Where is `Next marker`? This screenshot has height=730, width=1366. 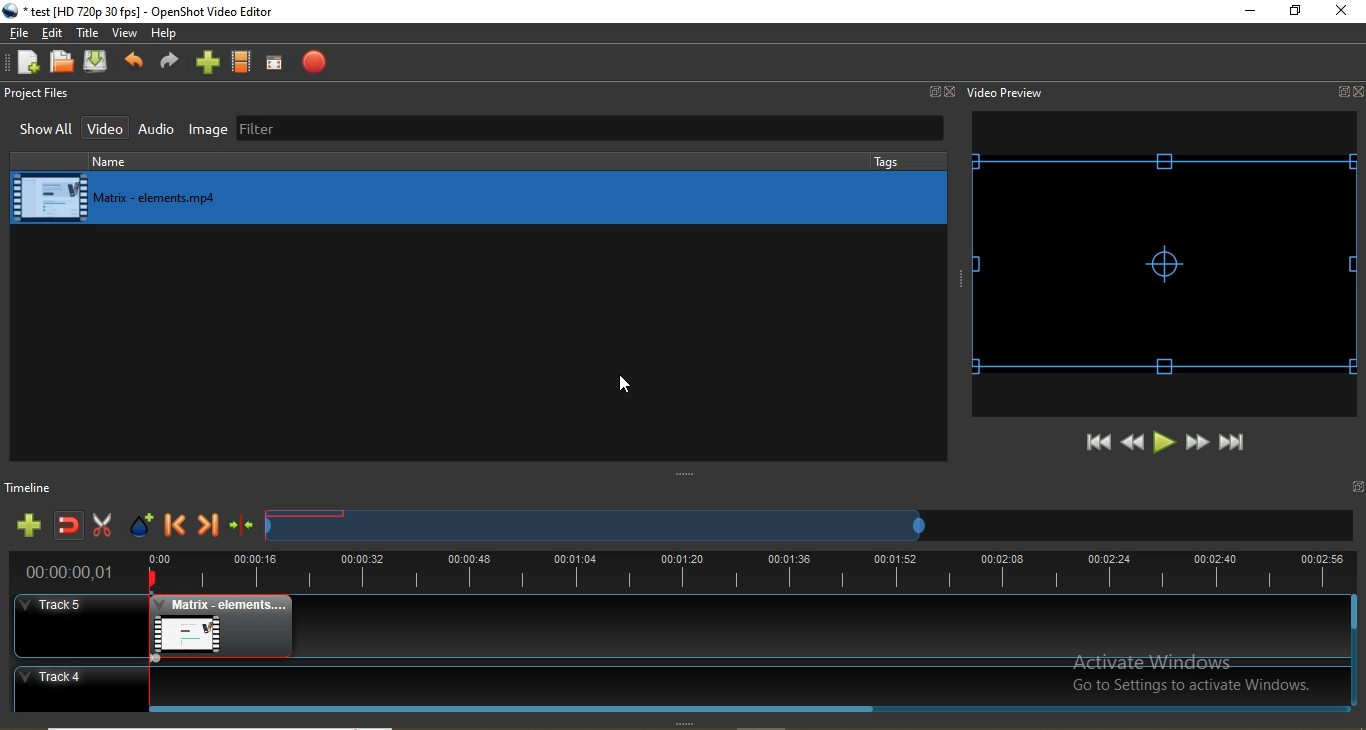
Next marker is located at coordinates (211, 529).